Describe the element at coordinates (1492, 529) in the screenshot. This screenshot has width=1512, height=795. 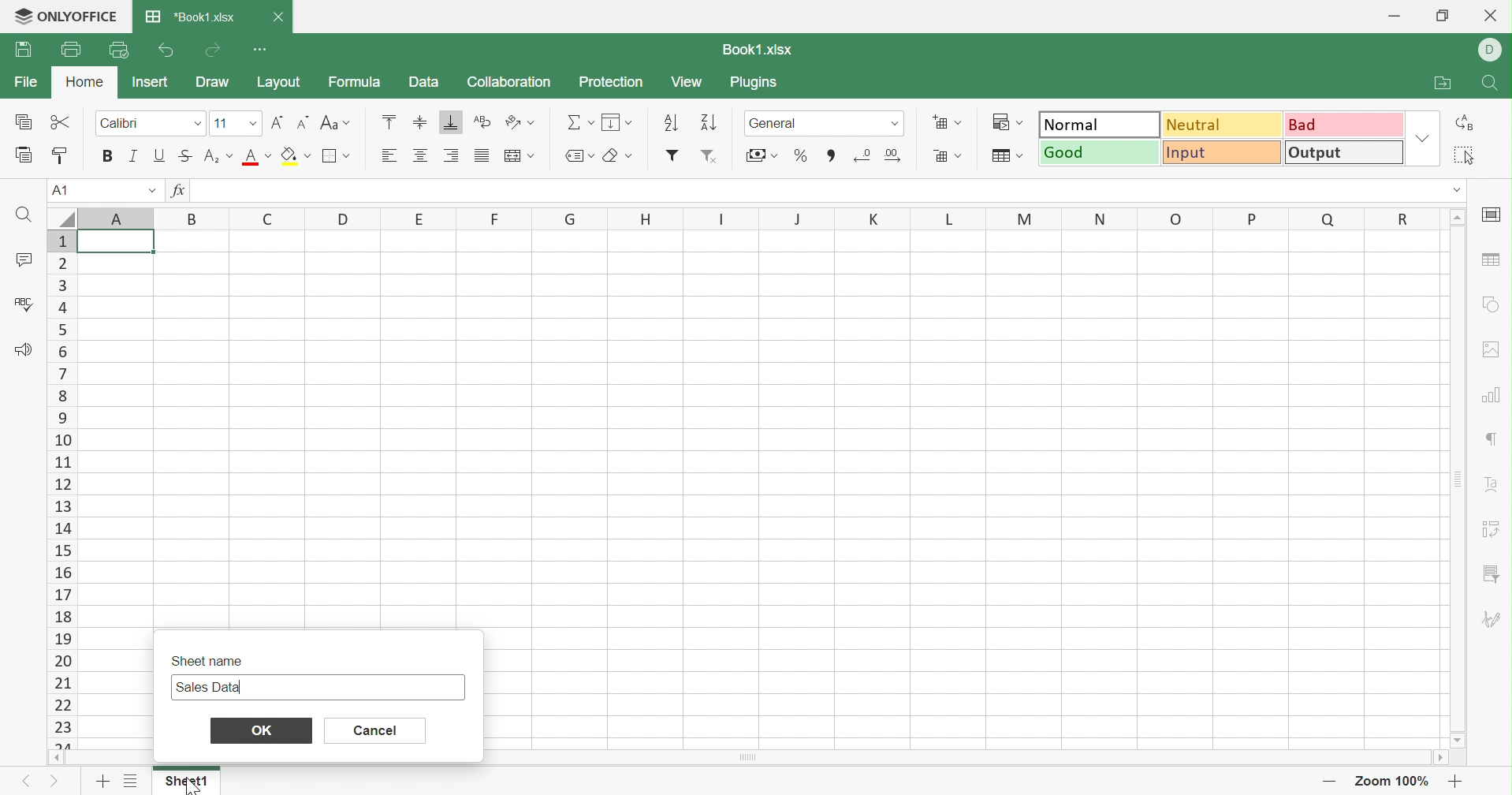
I see `Pivot Table settings` at that location.